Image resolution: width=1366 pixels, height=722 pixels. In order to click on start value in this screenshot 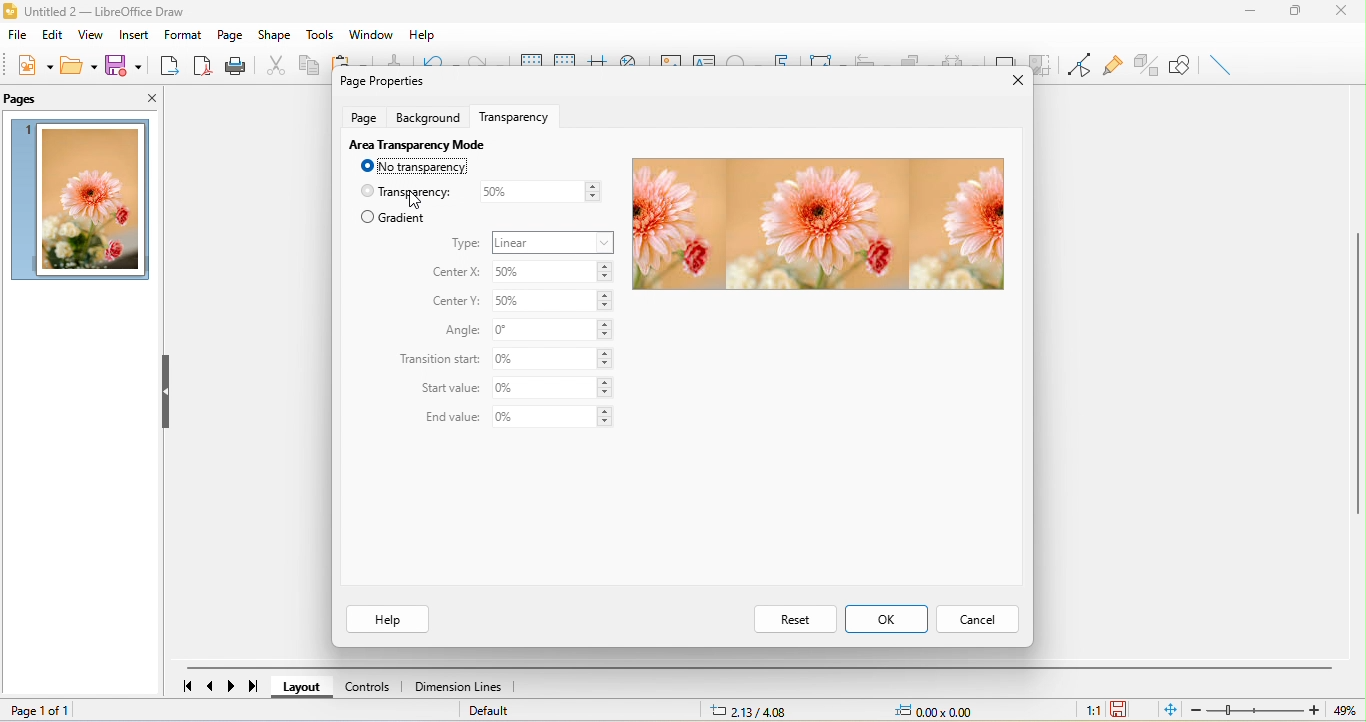, I will do `click(451, 390)`.